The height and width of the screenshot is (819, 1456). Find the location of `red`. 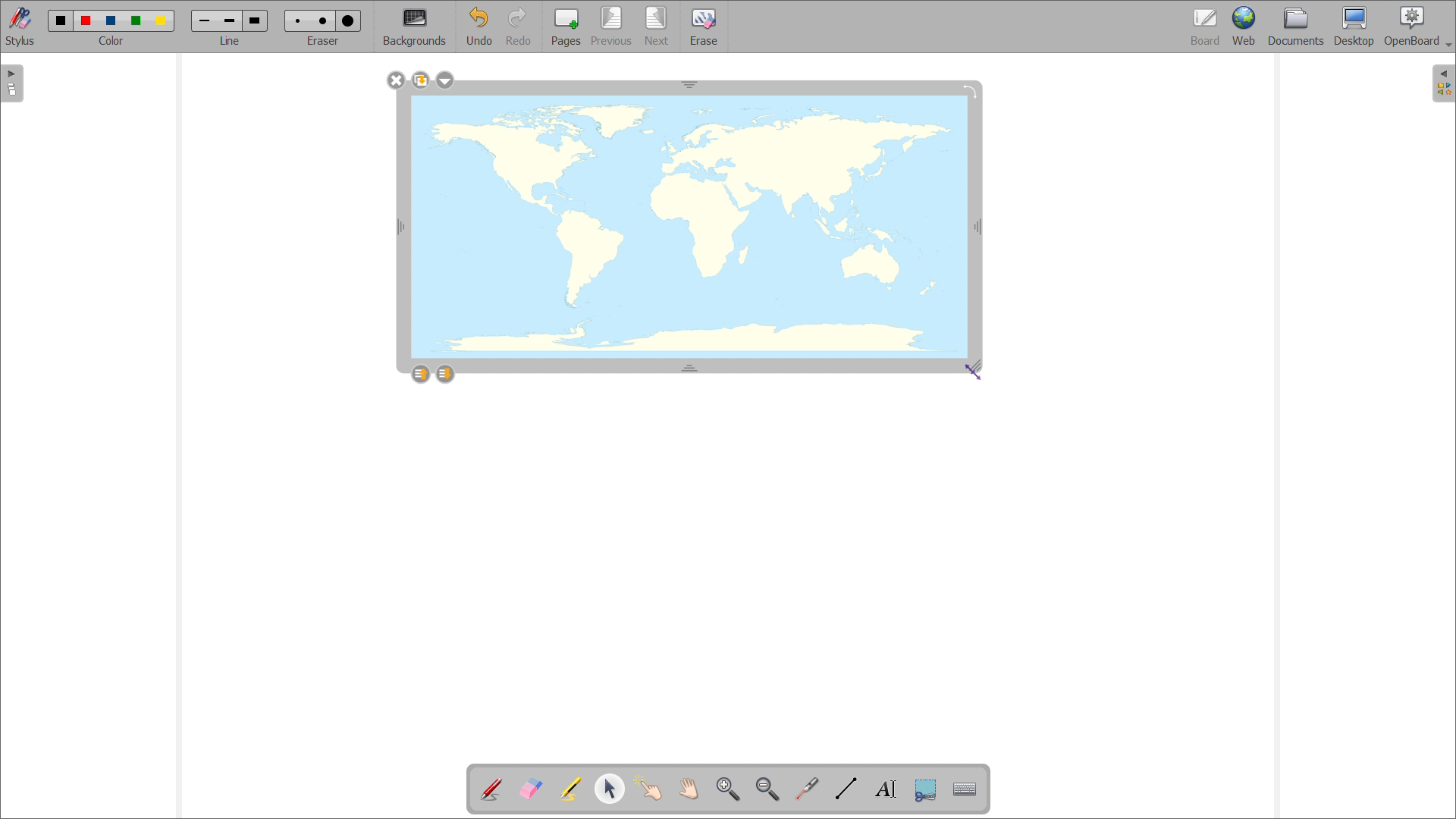

red is located at coordinates (86, 20).